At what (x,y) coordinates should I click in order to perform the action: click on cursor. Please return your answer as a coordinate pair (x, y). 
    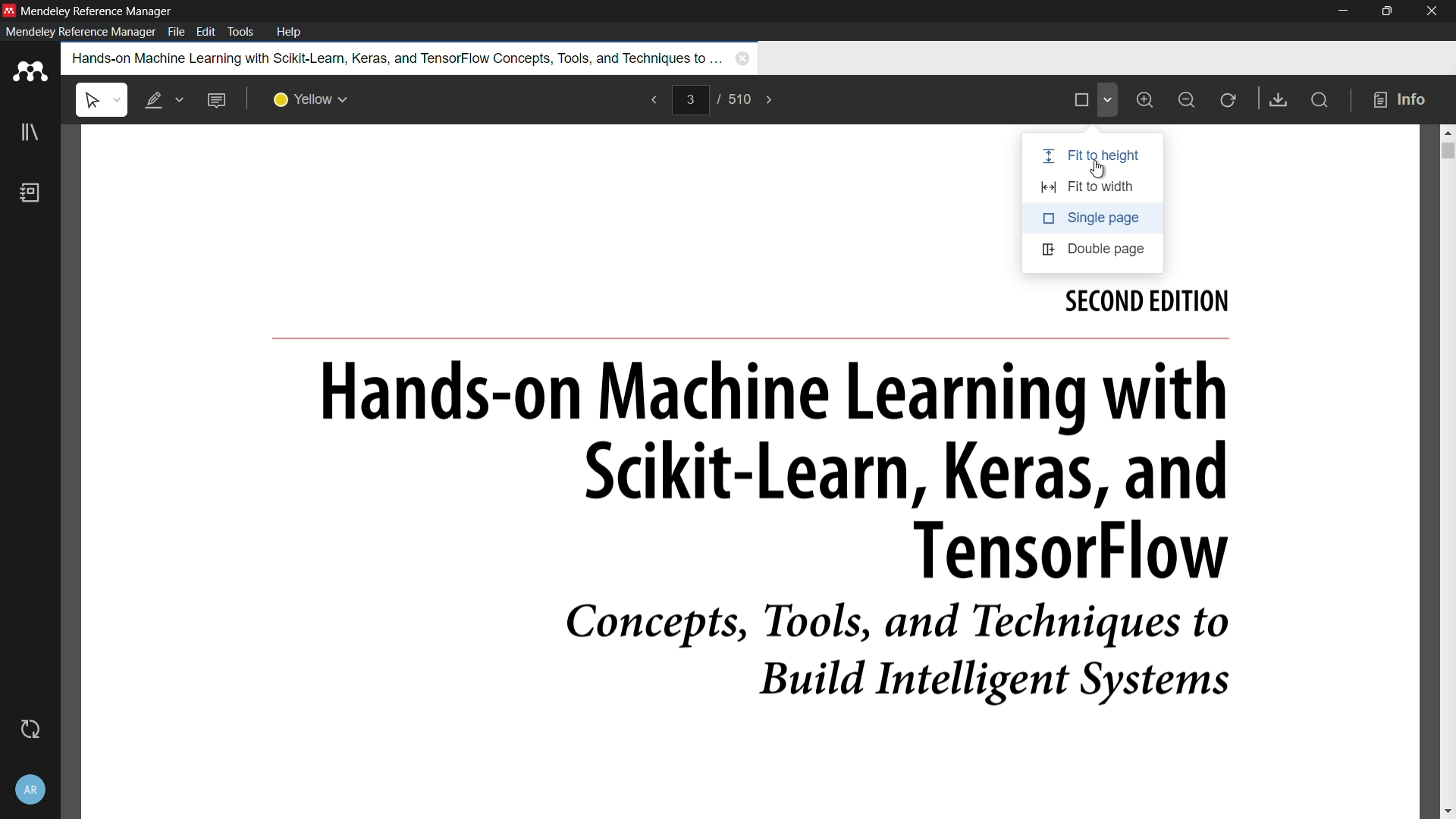
    Looking at the image, I should click on (1098, 170).